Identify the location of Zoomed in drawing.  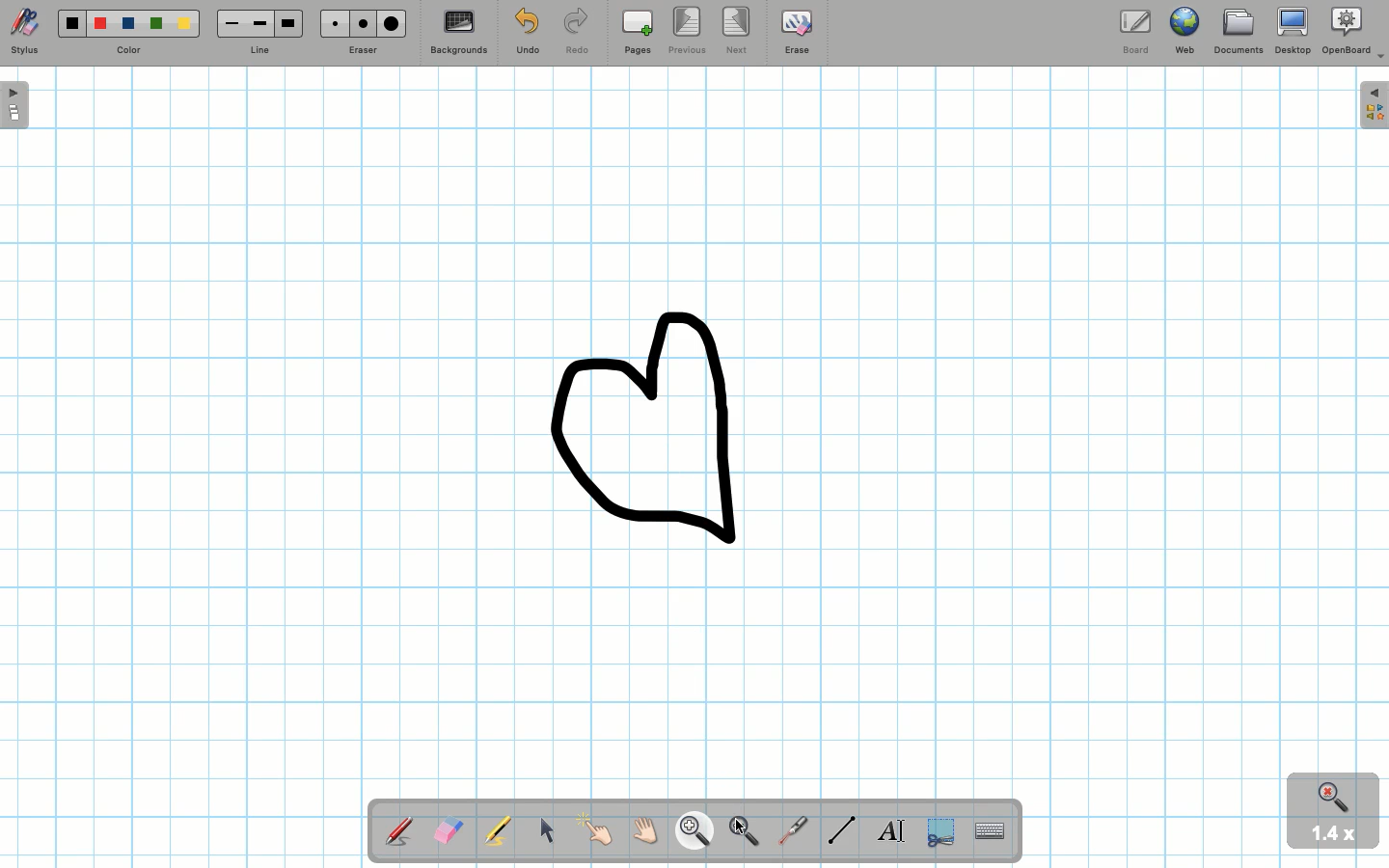
(670, 435).